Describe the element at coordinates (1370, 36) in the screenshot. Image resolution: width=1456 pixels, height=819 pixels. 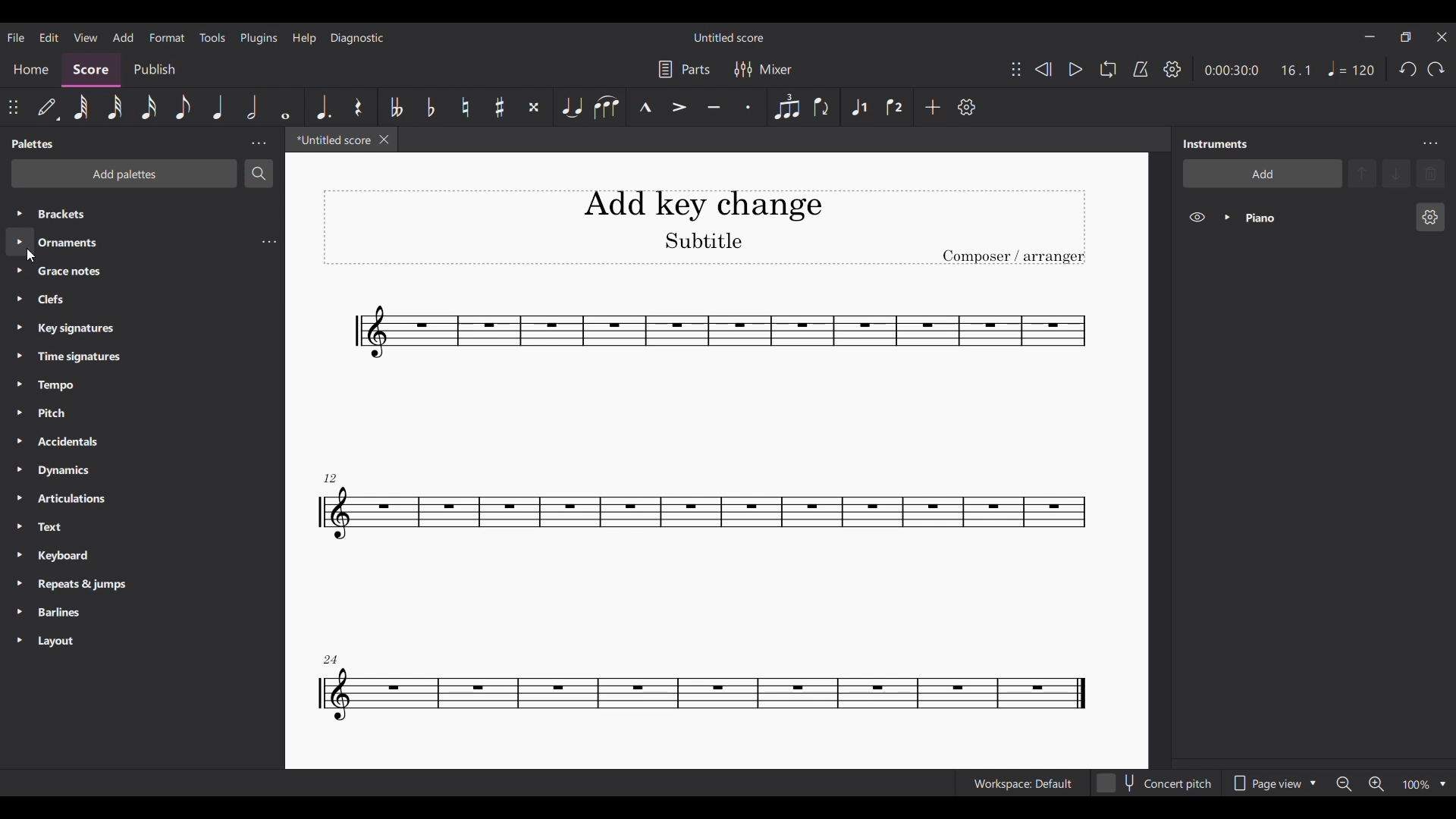
I see `Minimize` at that location.